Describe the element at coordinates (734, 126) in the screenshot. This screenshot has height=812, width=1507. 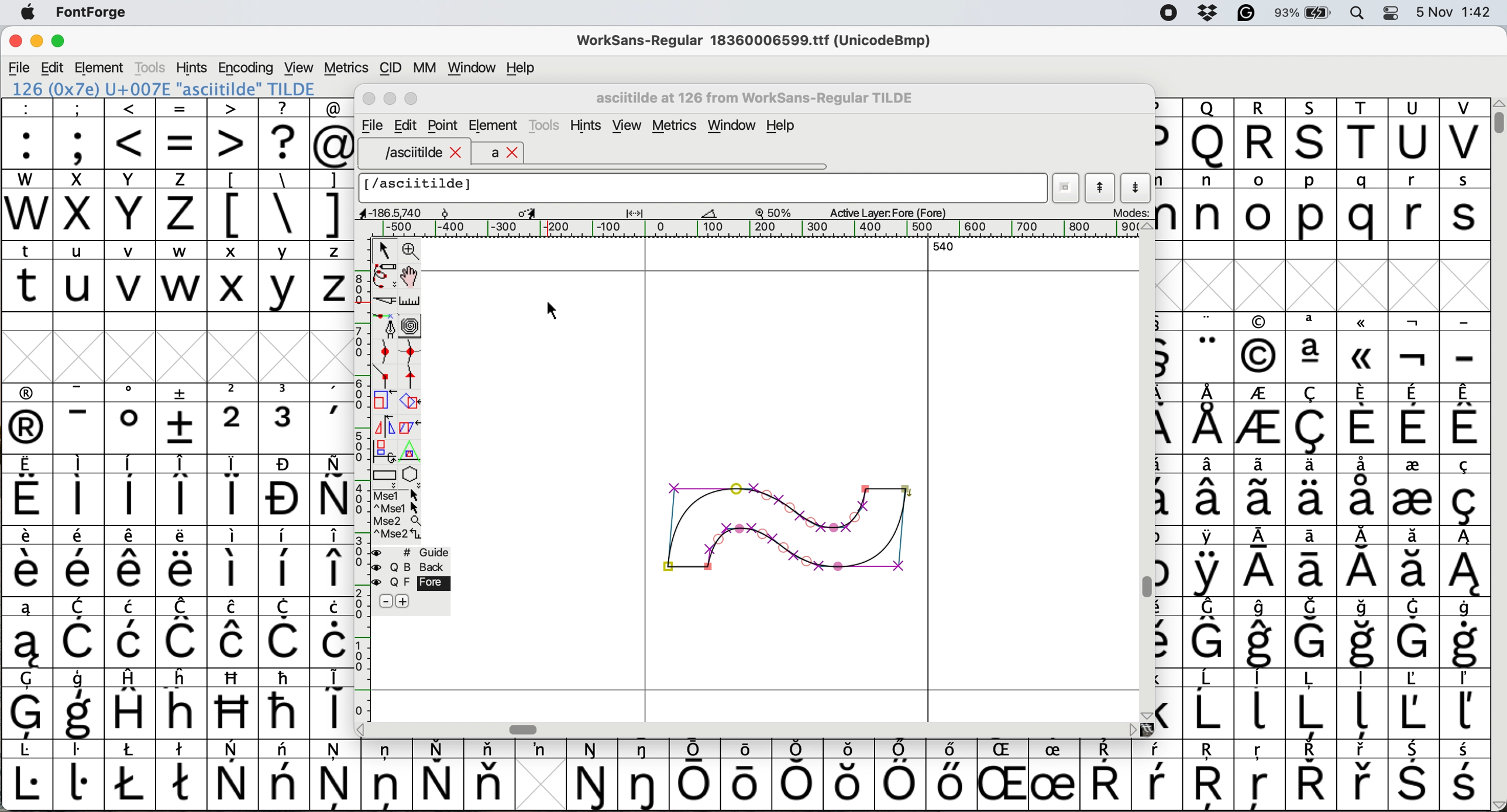
I see `window` at that location.